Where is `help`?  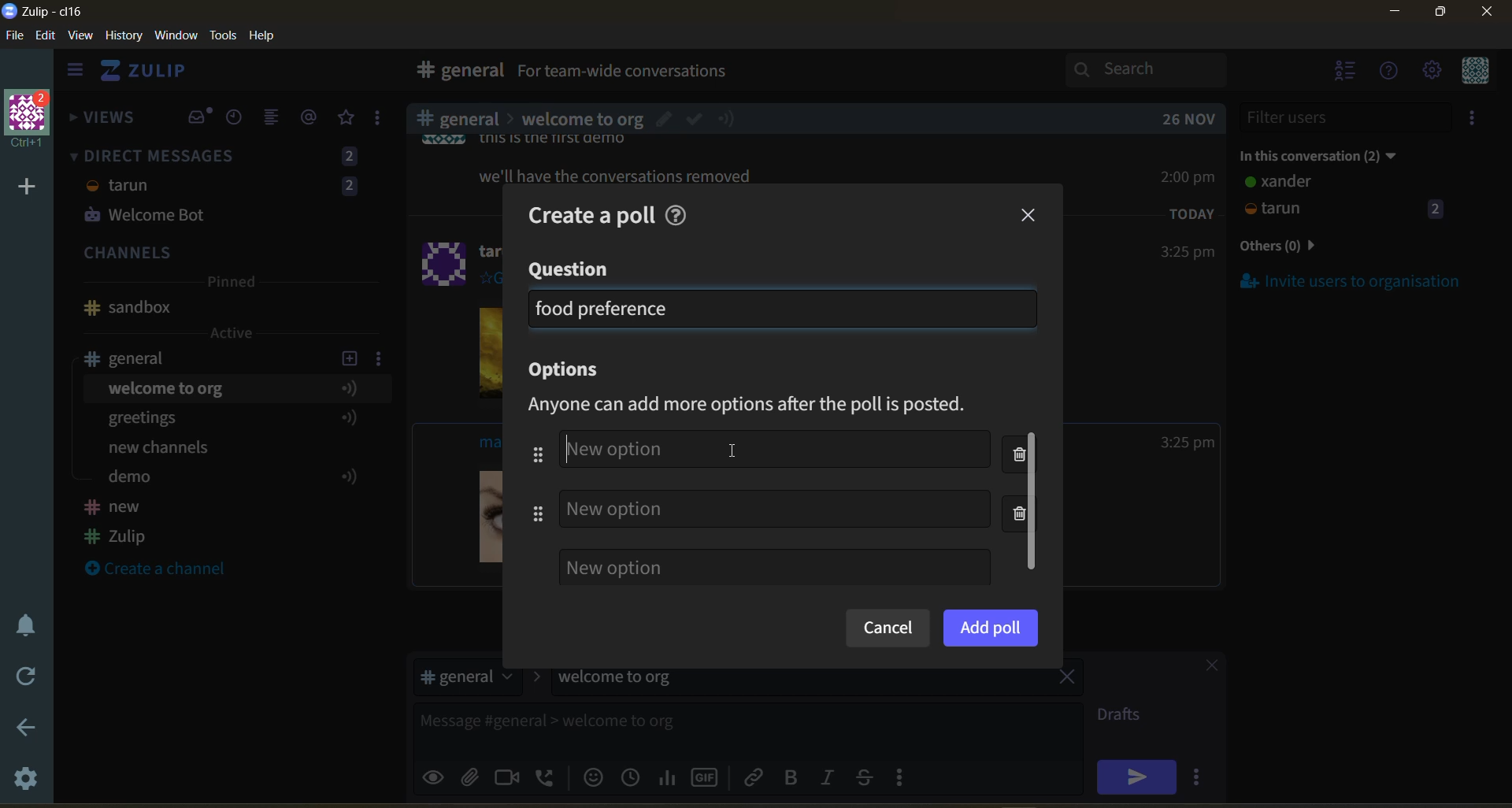
help is located at coordinates (680, 213).